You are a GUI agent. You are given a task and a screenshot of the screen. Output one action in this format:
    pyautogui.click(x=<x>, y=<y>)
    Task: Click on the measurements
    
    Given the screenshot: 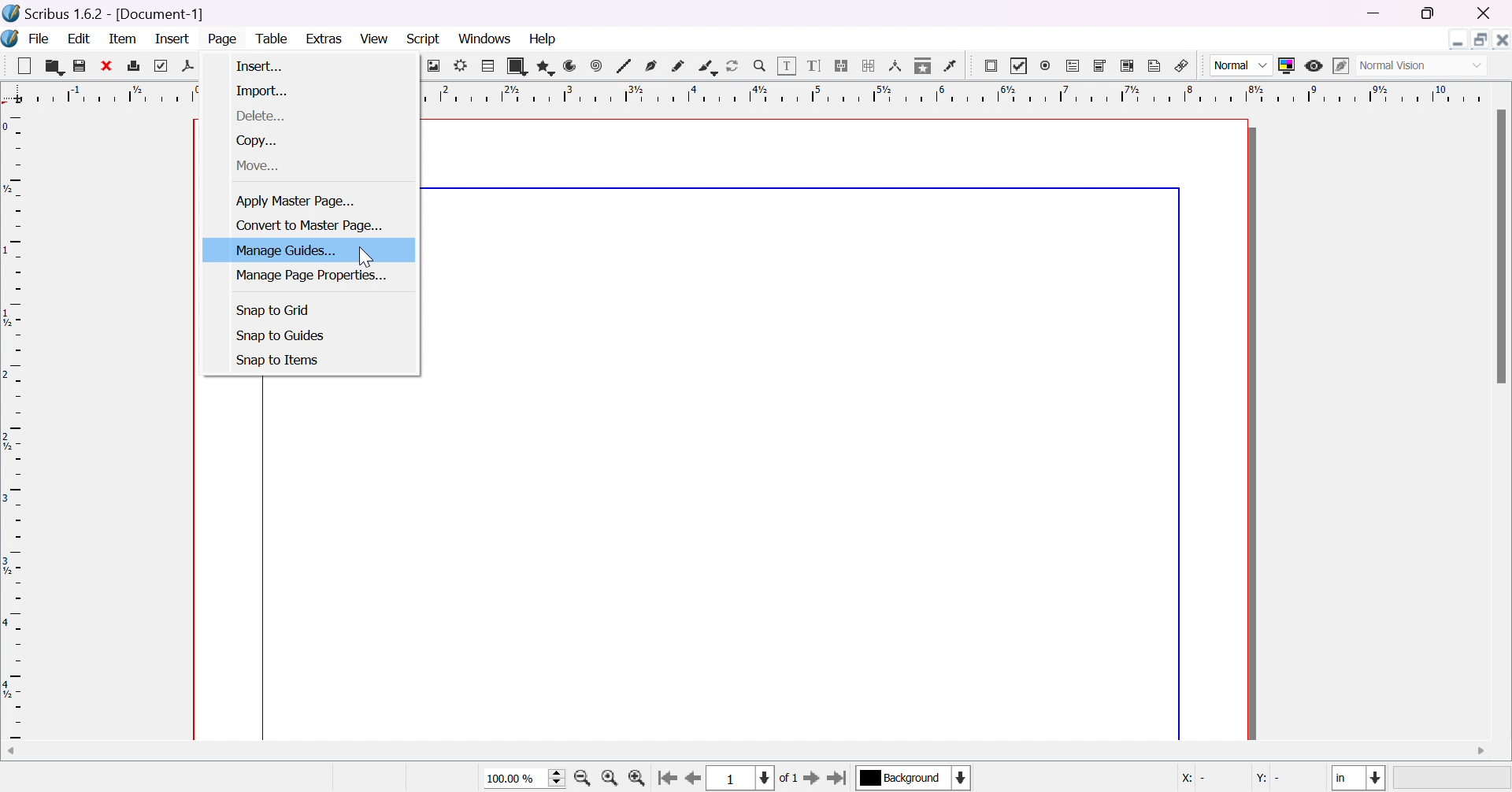 What is the action you would take?
    pyautogui.click(x=898, y=67)
    